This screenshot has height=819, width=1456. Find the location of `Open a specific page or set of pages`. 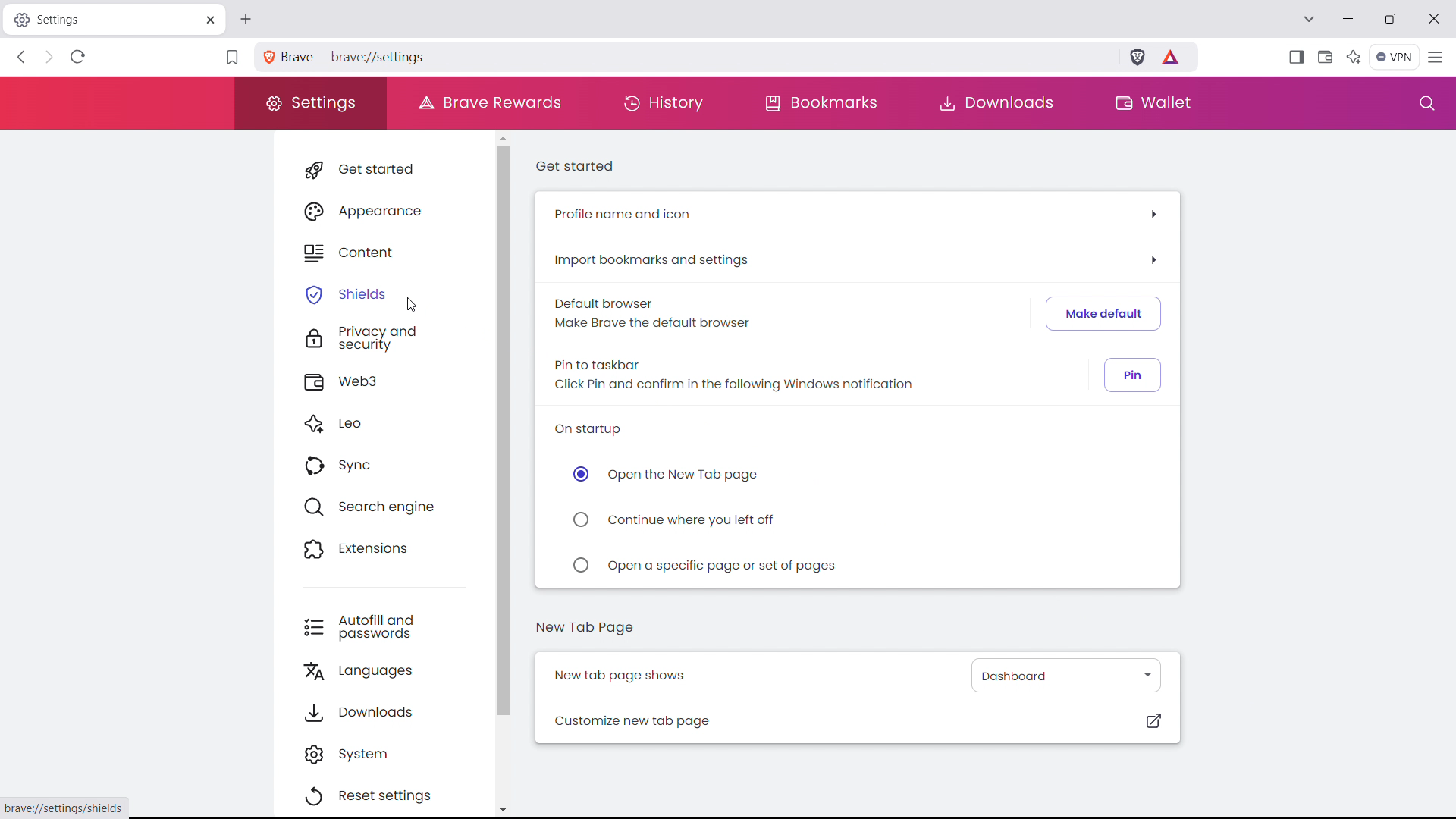

Open a specific page or set of pages is located at coordinates (736, 567).